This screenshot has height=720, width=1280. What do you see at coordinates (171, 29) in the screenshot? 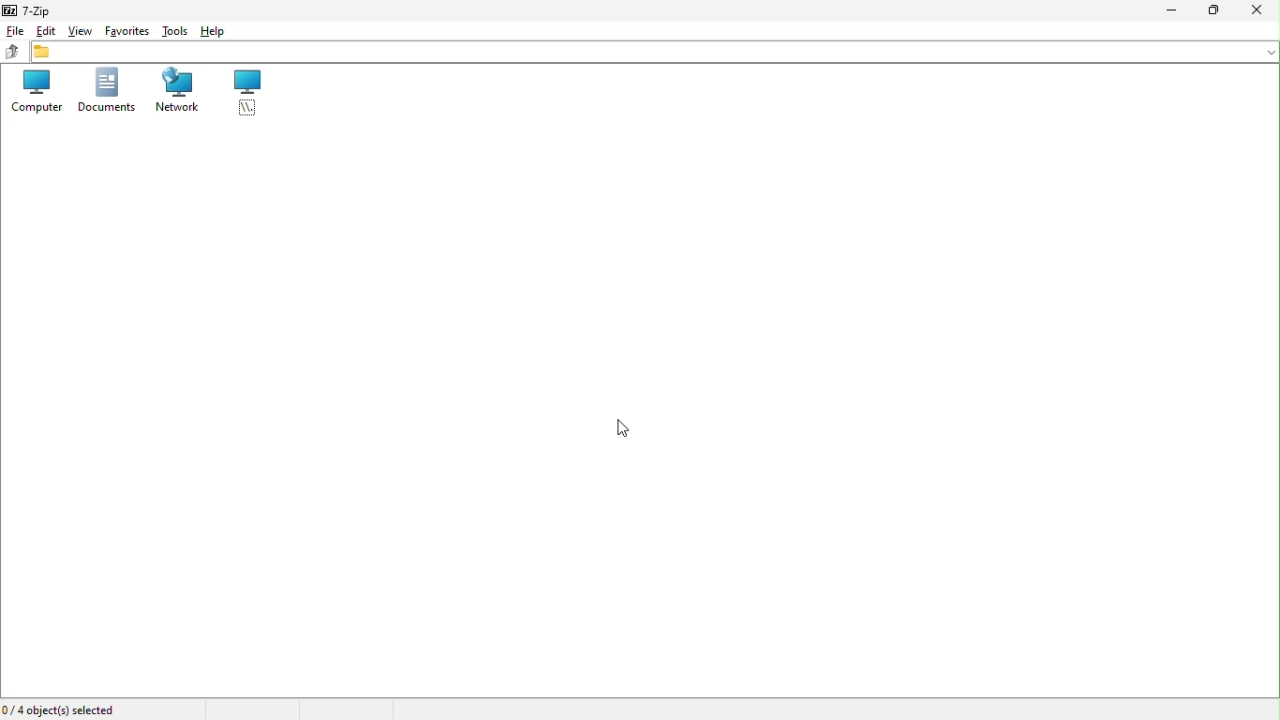
I see `Tools` at bounding box center [171, 29].